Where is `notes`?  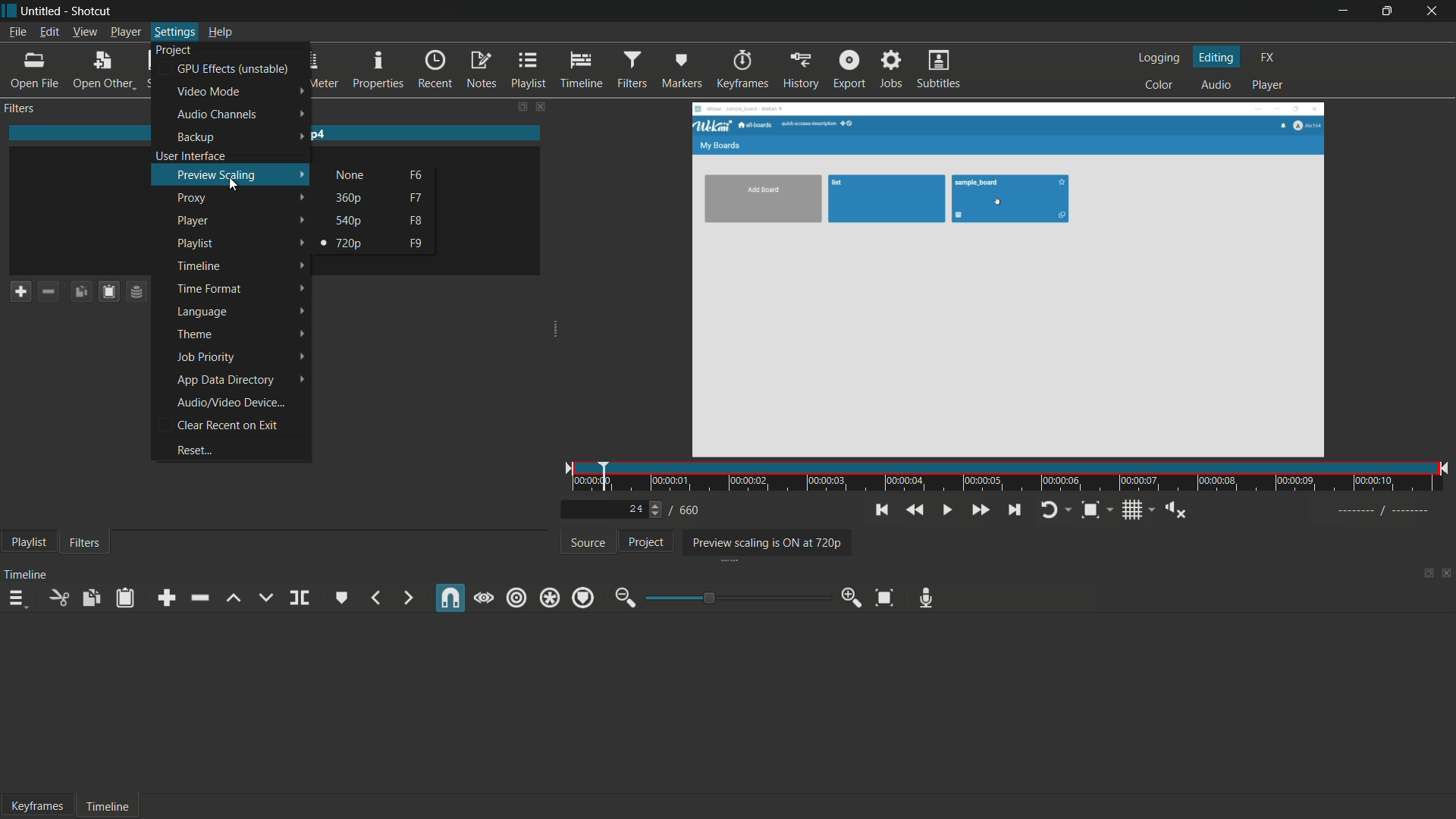 notes is located at coordinates (481, 69).